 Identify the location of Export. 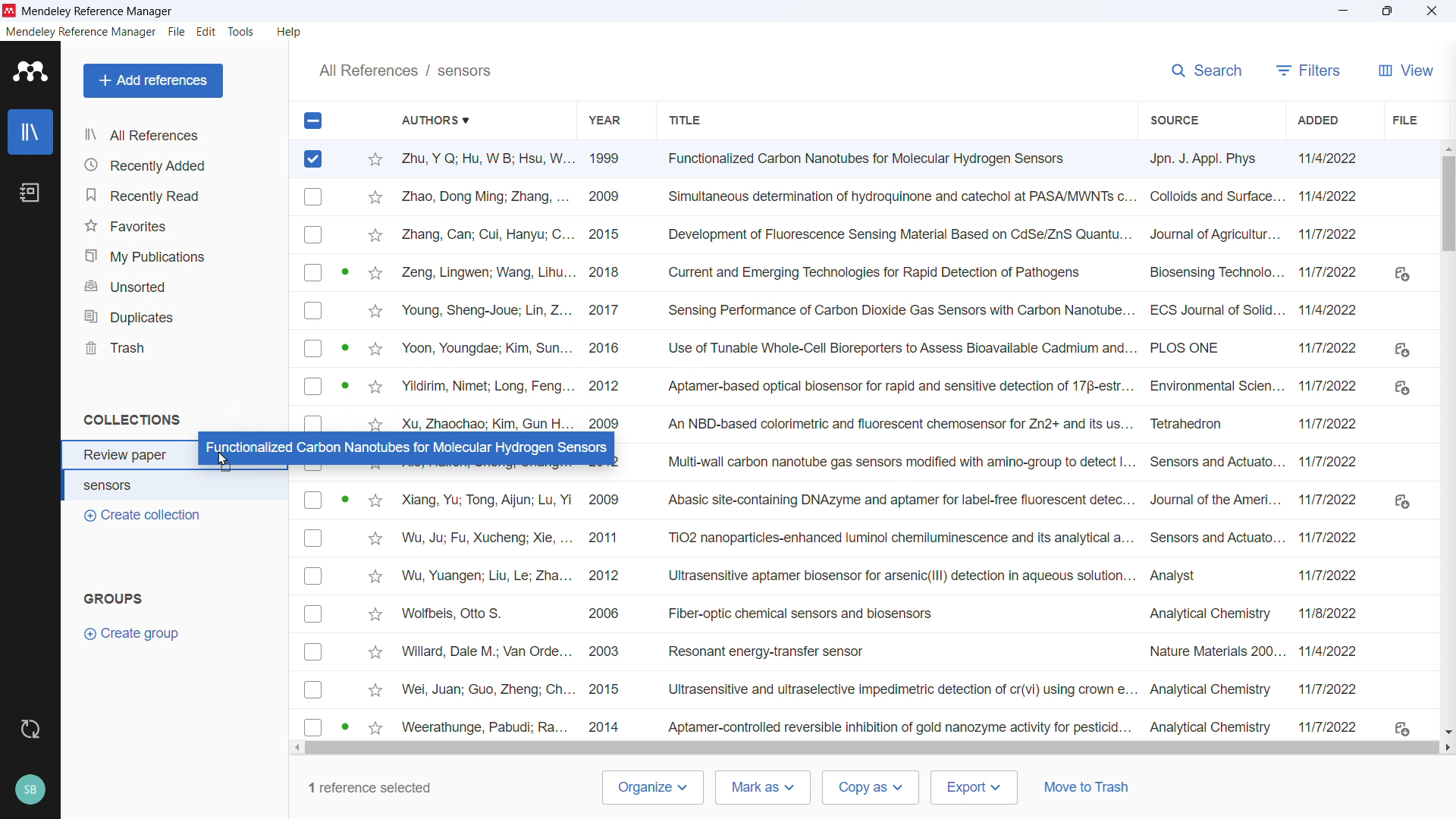
(973, 787).